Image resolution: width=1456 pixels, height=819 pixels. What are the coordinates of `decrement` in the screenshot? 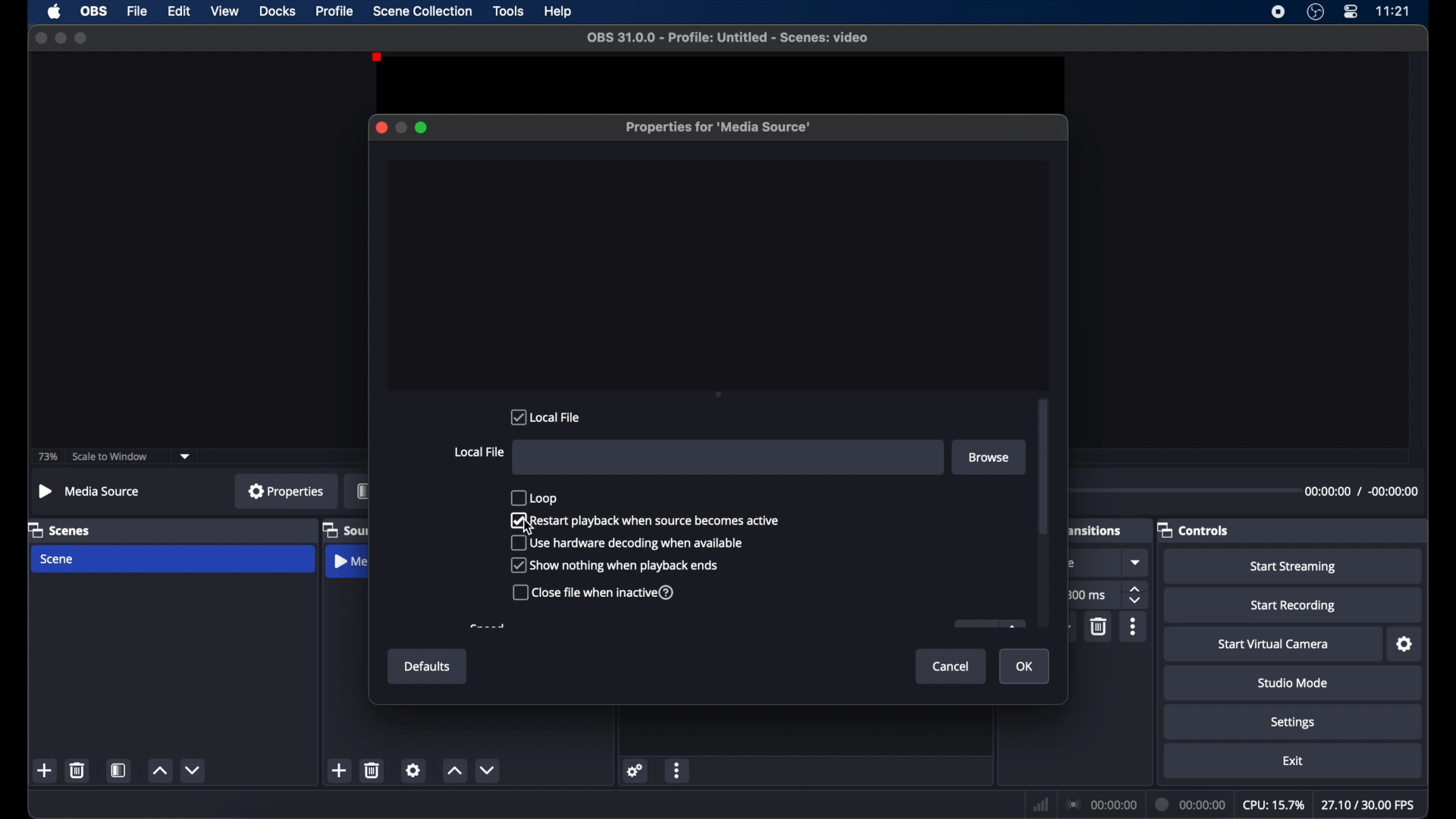 It's located at (193, 770).